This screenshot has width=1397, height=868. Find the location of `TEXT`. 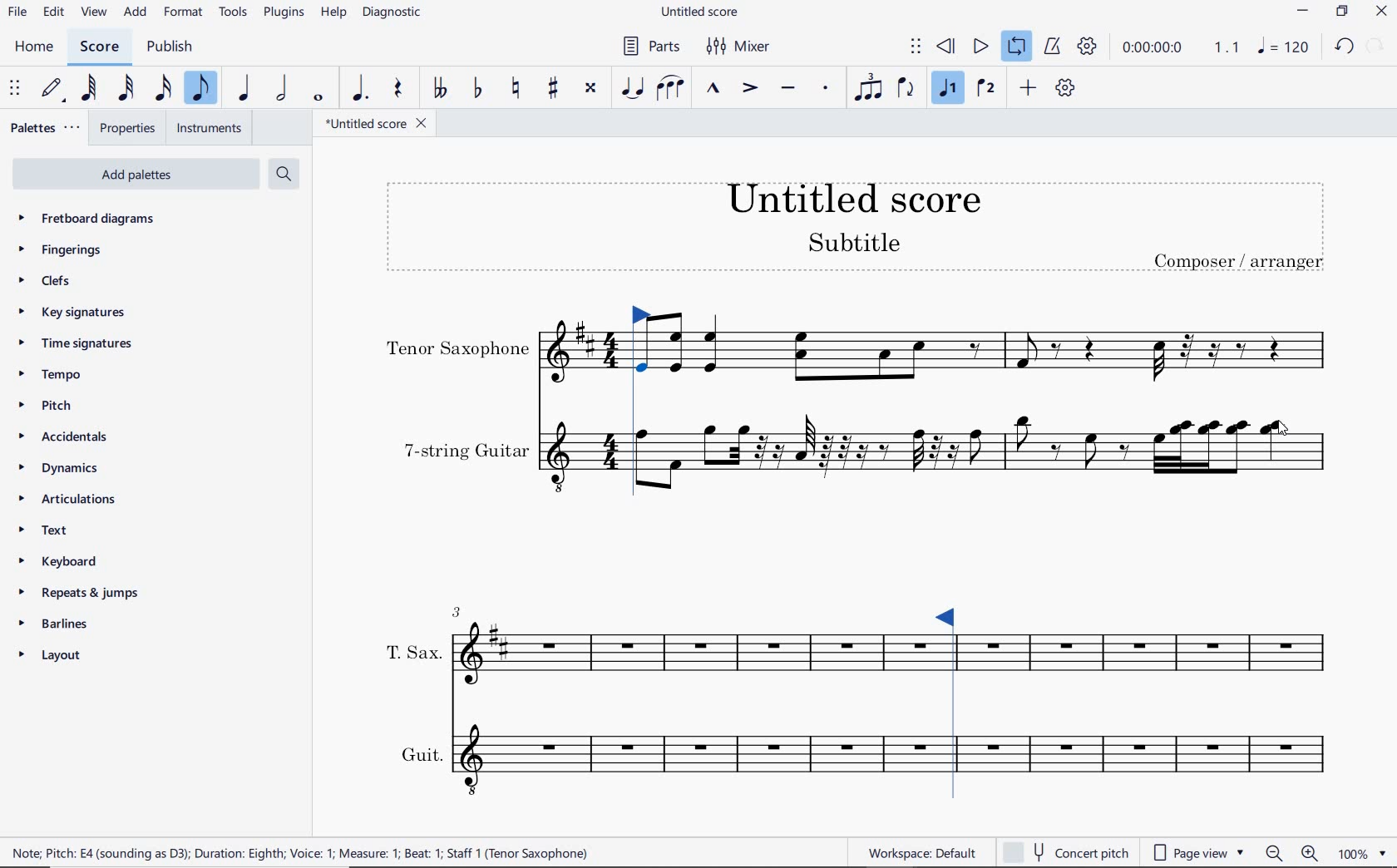

TEXT is located at coordinates (39, 529).